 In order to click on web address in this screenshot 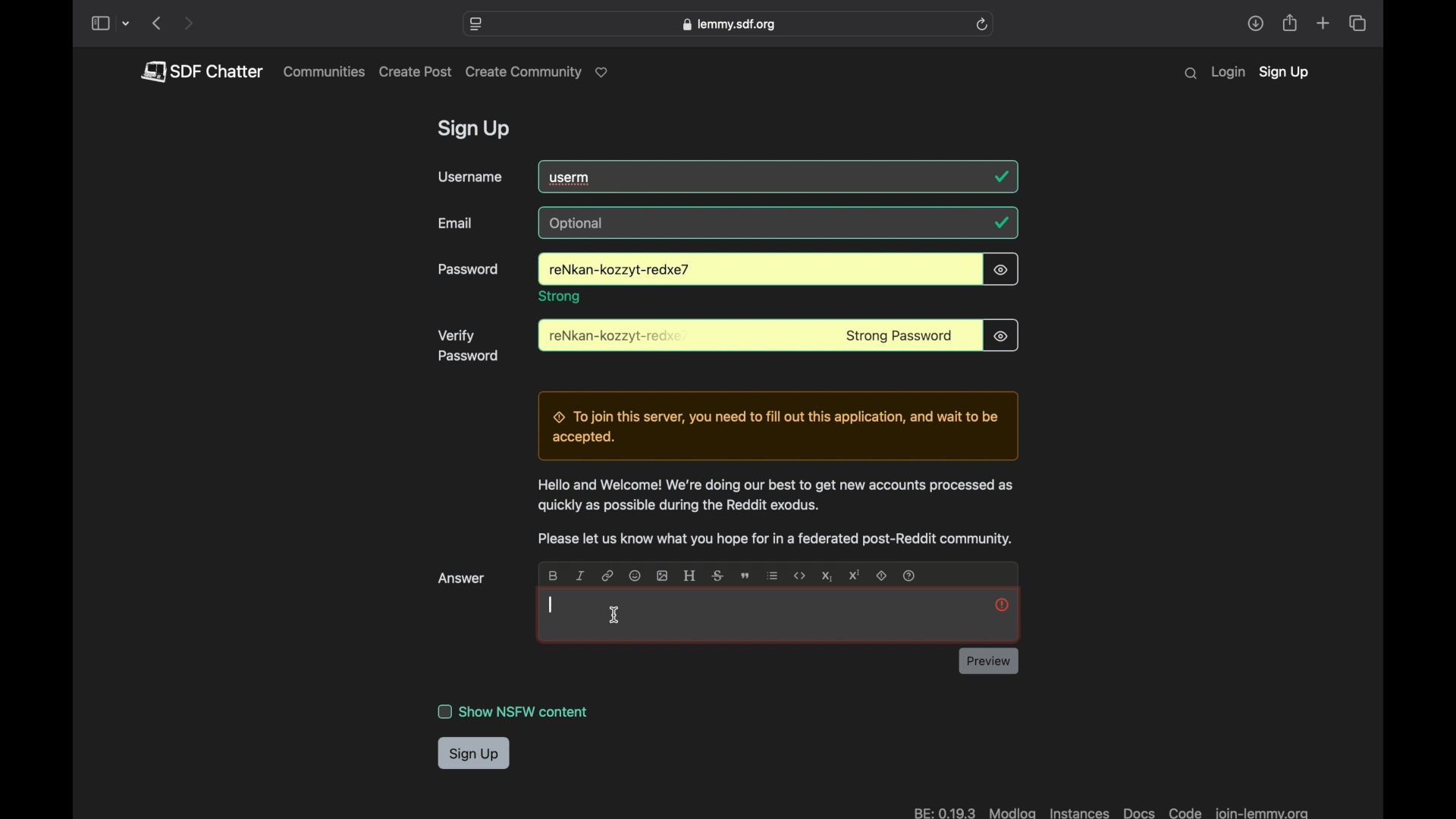, I will do `click(728, 24)`.